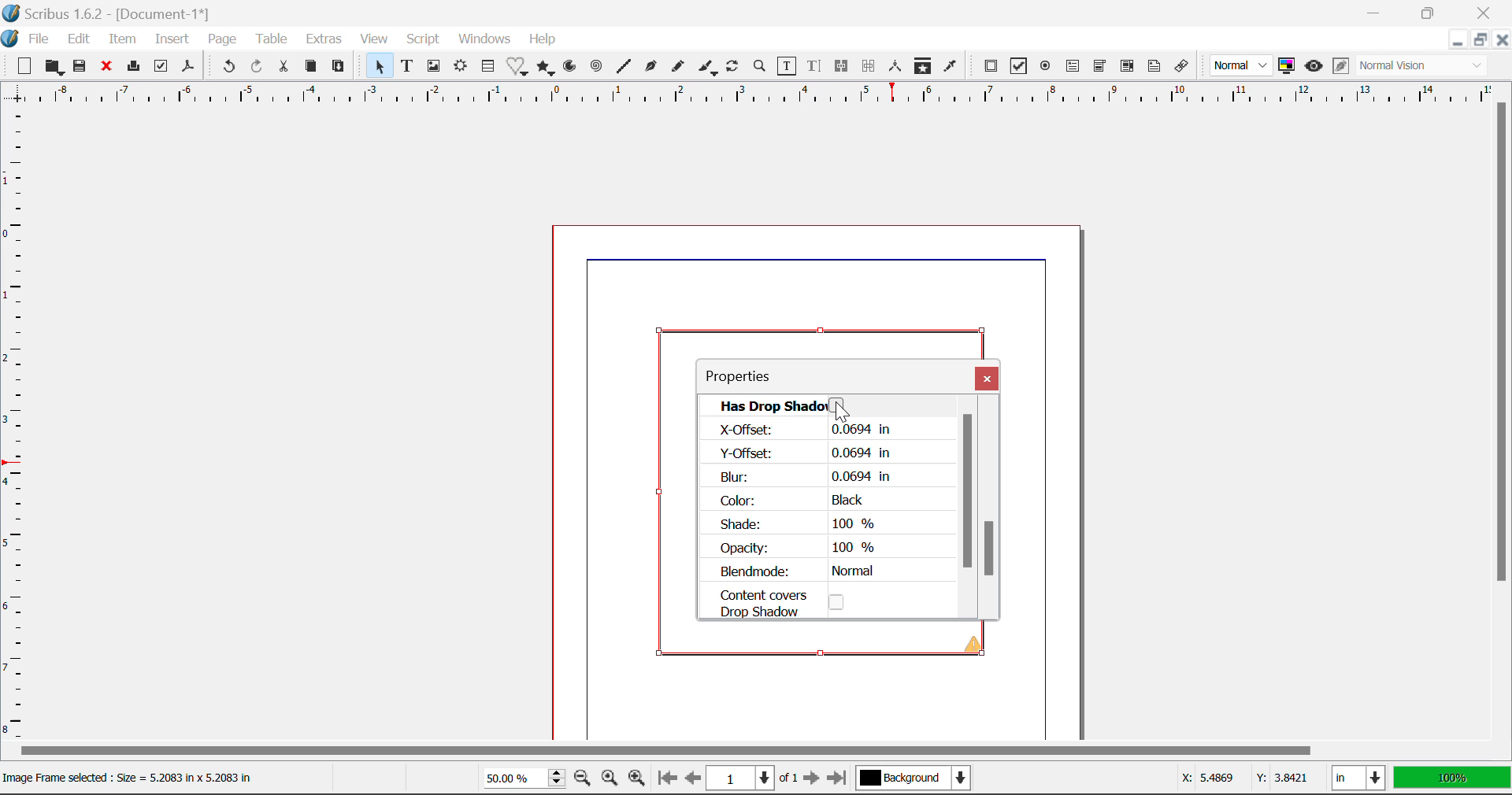 This screenshot has width=1512, height=795. I want to click on Content CoversDrop Shadow Option, so click(795, 602).